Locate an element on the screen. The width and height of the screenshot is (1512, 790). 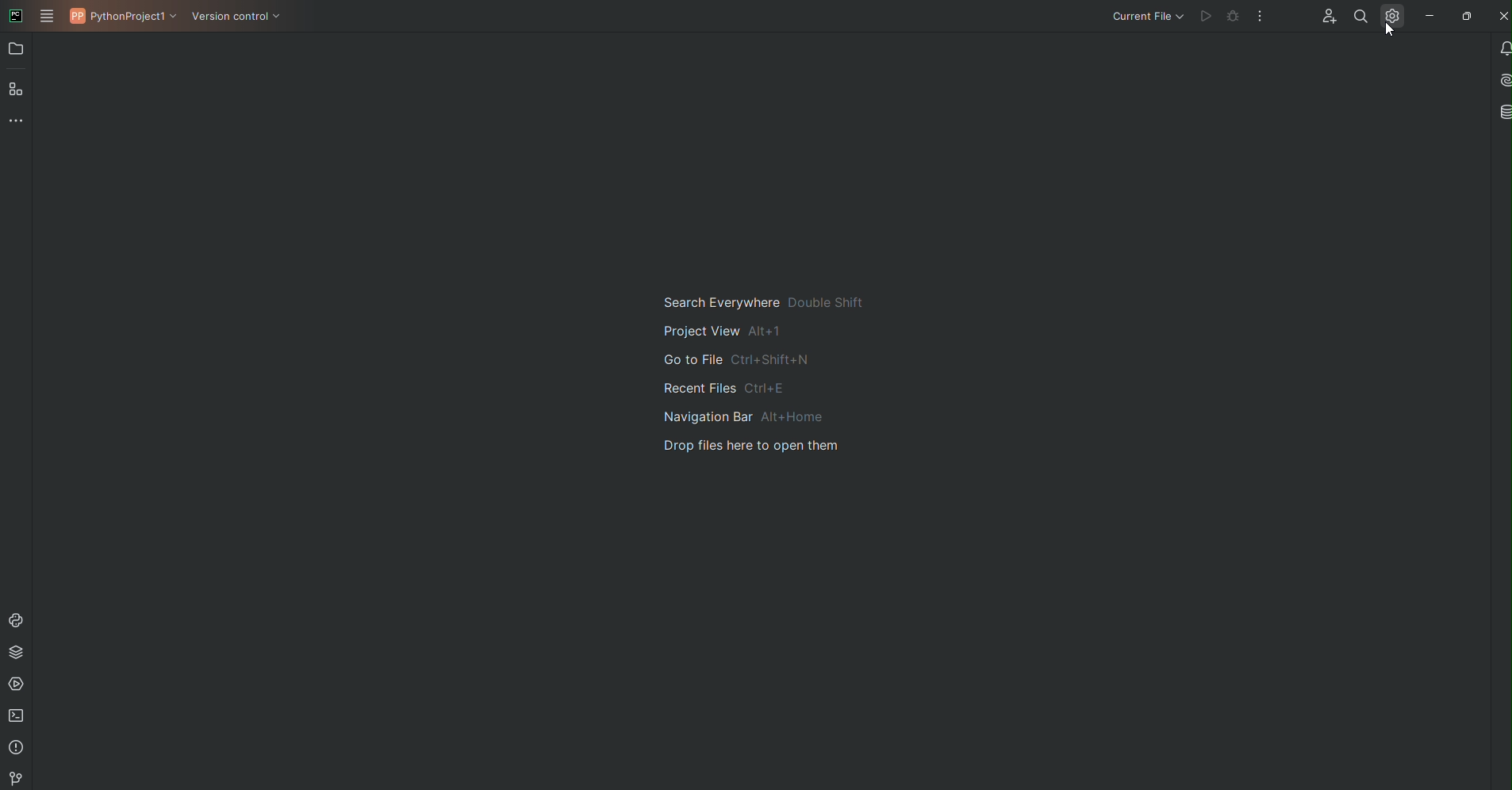
Settings is located at coordinates (1391, 17).